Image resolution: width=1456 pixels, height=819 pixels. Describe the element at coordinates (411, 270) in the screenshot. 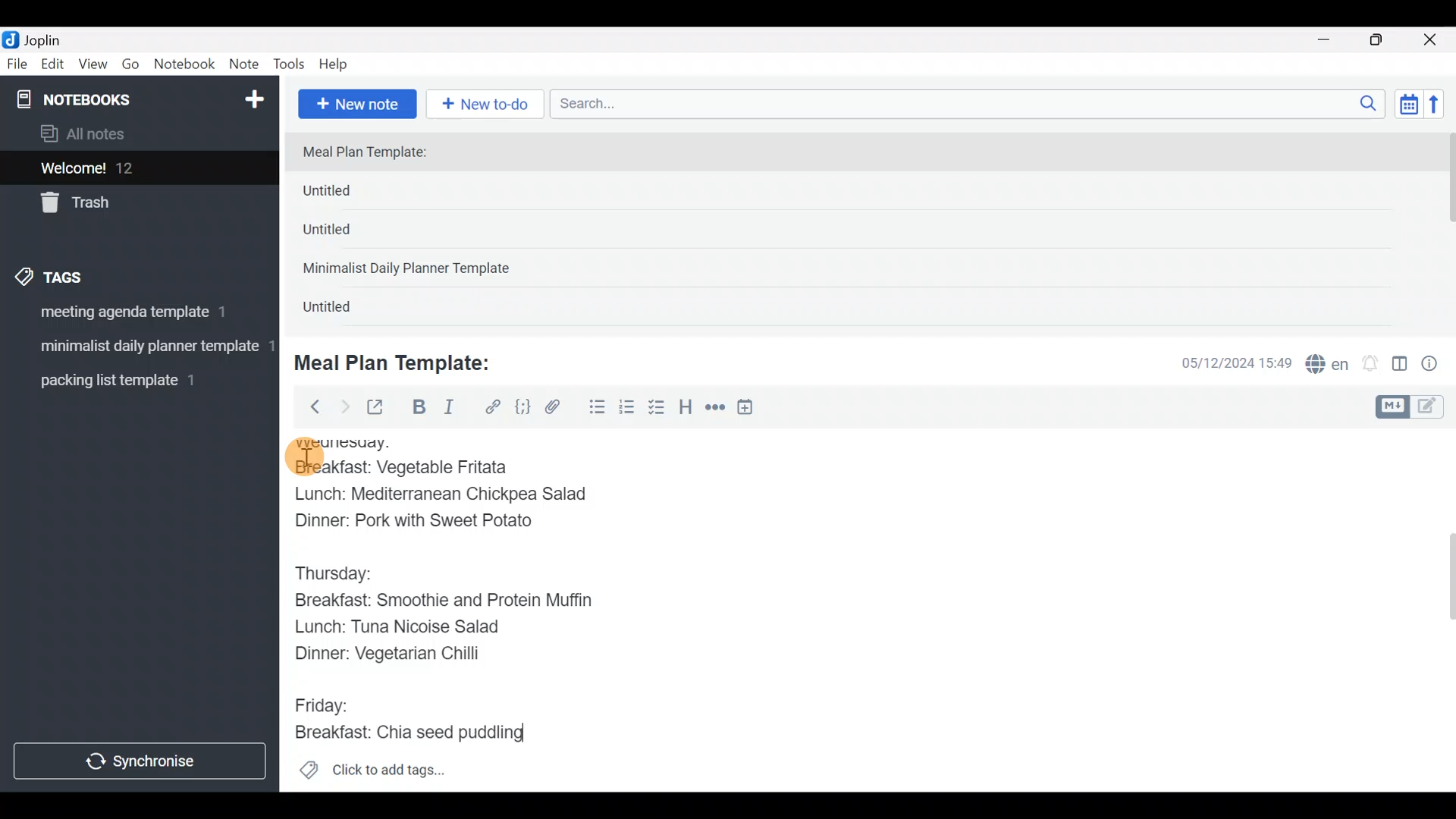

I see `Minimalist Daily Planner Template` at that location.